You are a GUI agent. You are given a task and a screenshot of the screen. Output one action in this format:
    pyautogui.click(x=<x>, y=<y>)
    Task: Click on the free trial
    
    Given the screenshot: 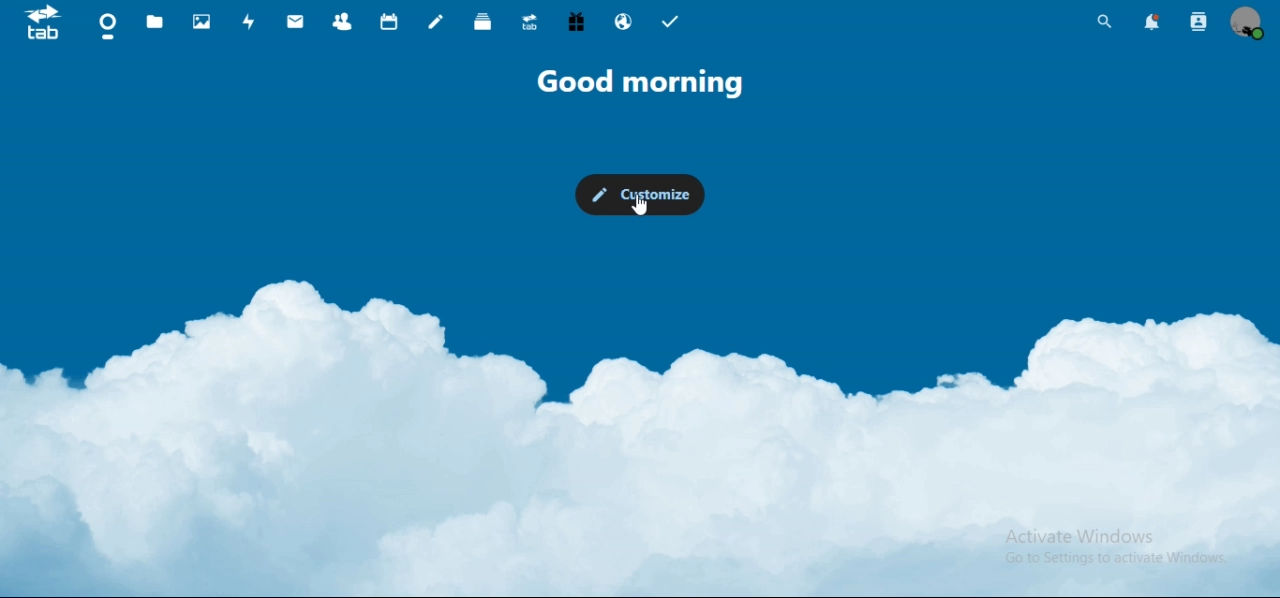 What is the action you would take?
    pyautogui.click(x=578, y=22)
    